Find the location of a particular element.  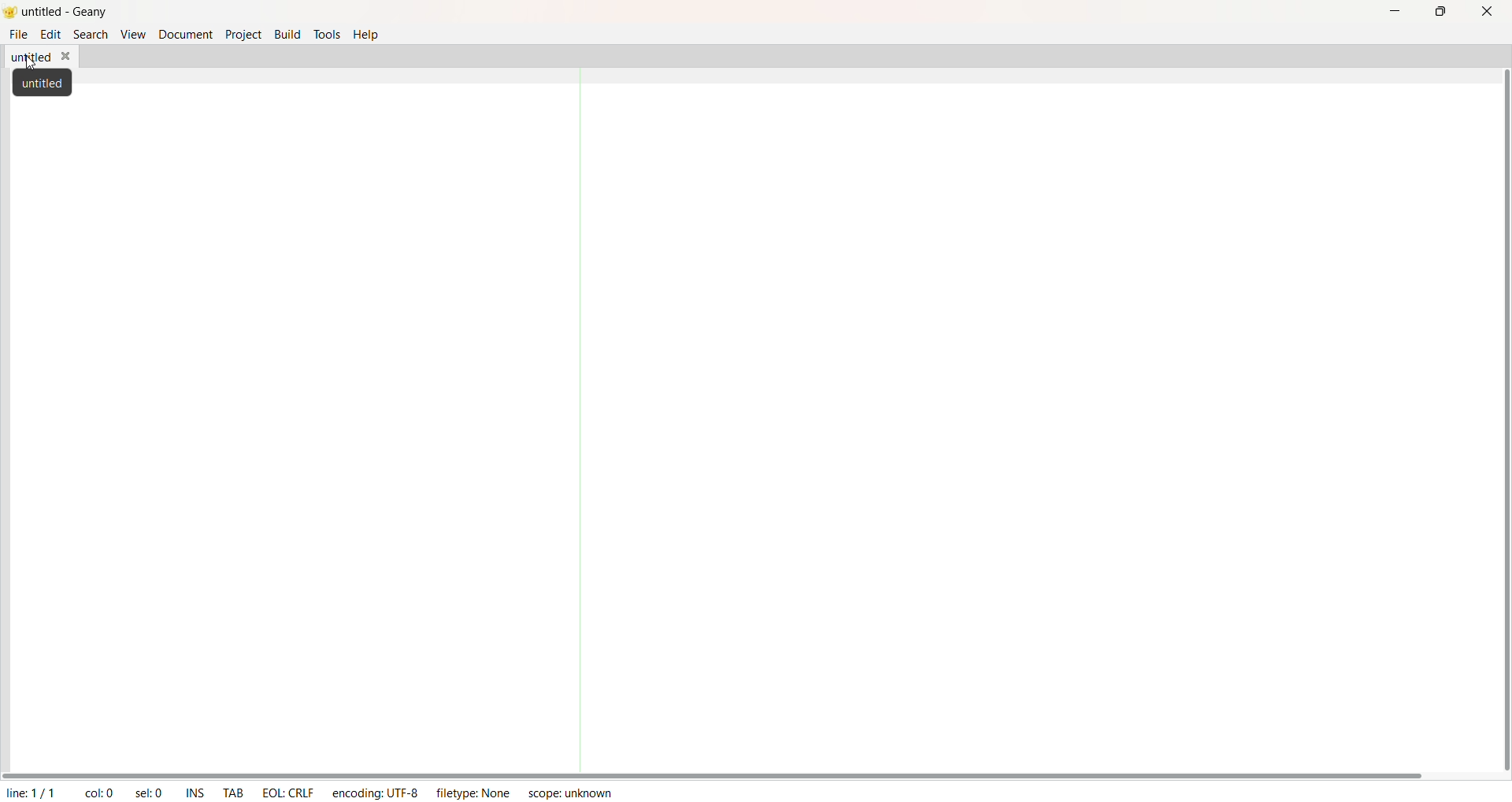

line 1/1 is located at coordinates (28, 793).